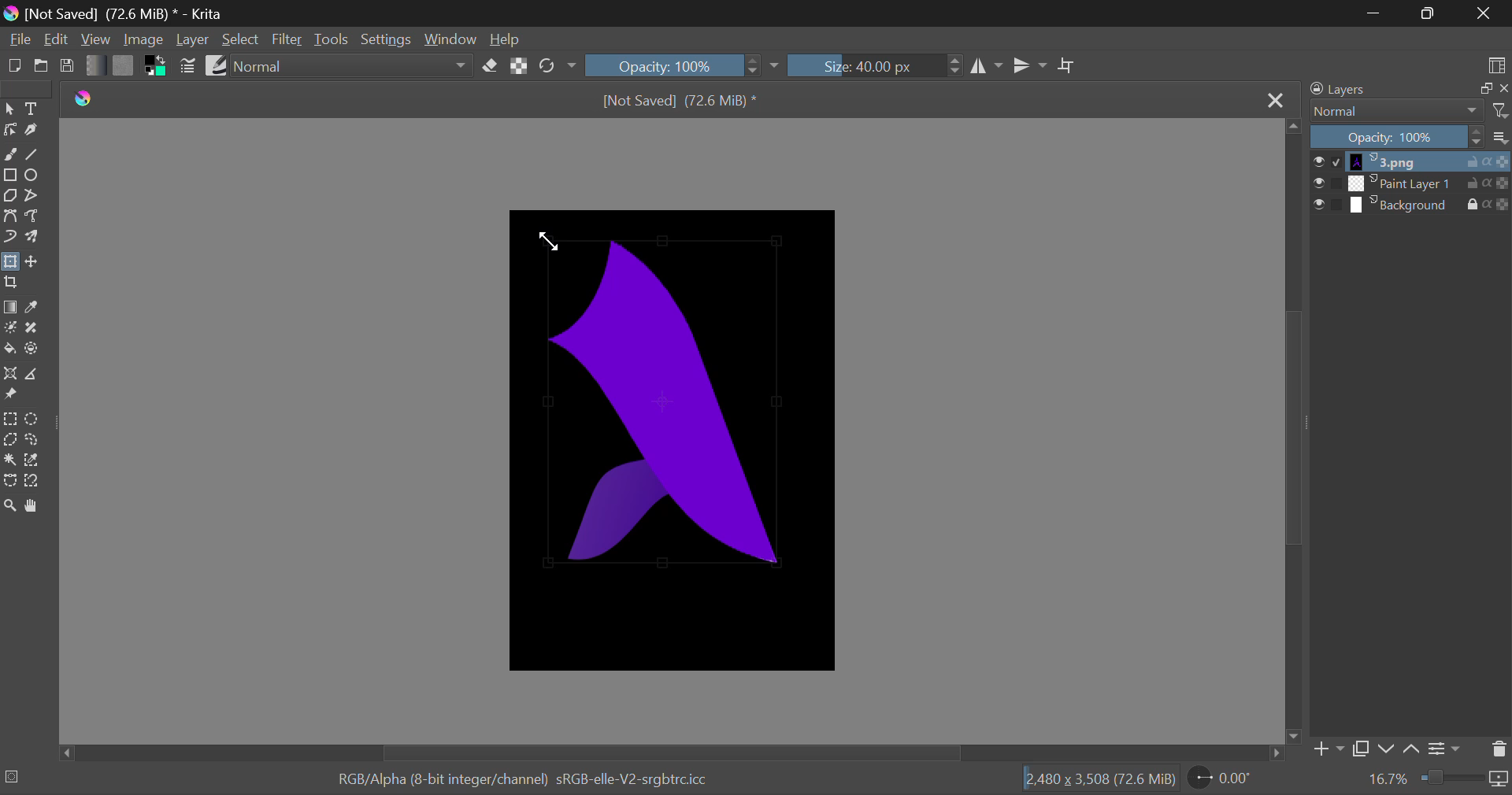 This screenshot has height=795, width=1512. I want to click on Close, so click(1273, 104).